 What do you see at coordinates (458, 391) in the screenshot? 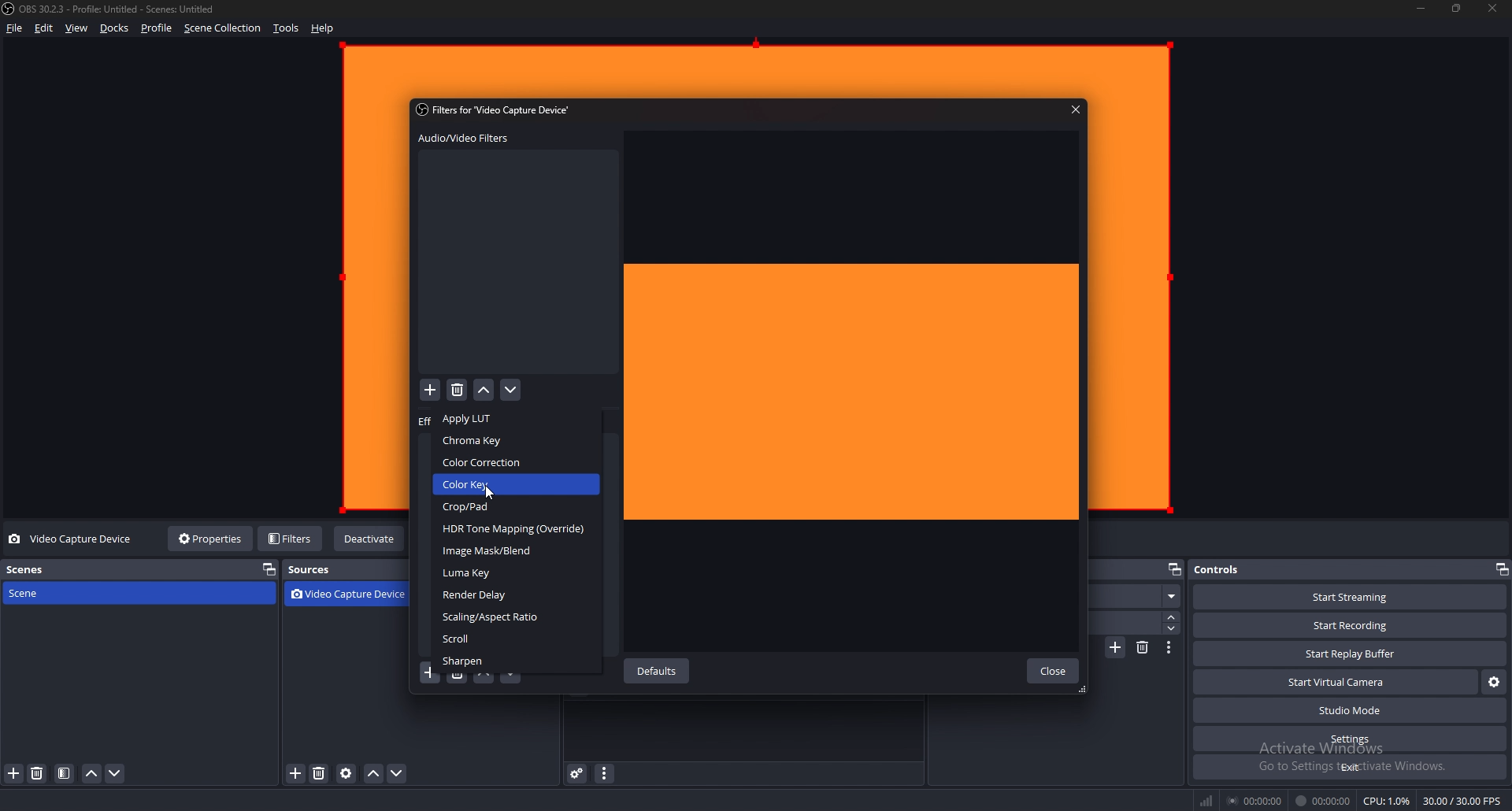
I see `delete` at bounding box center [458, 391].